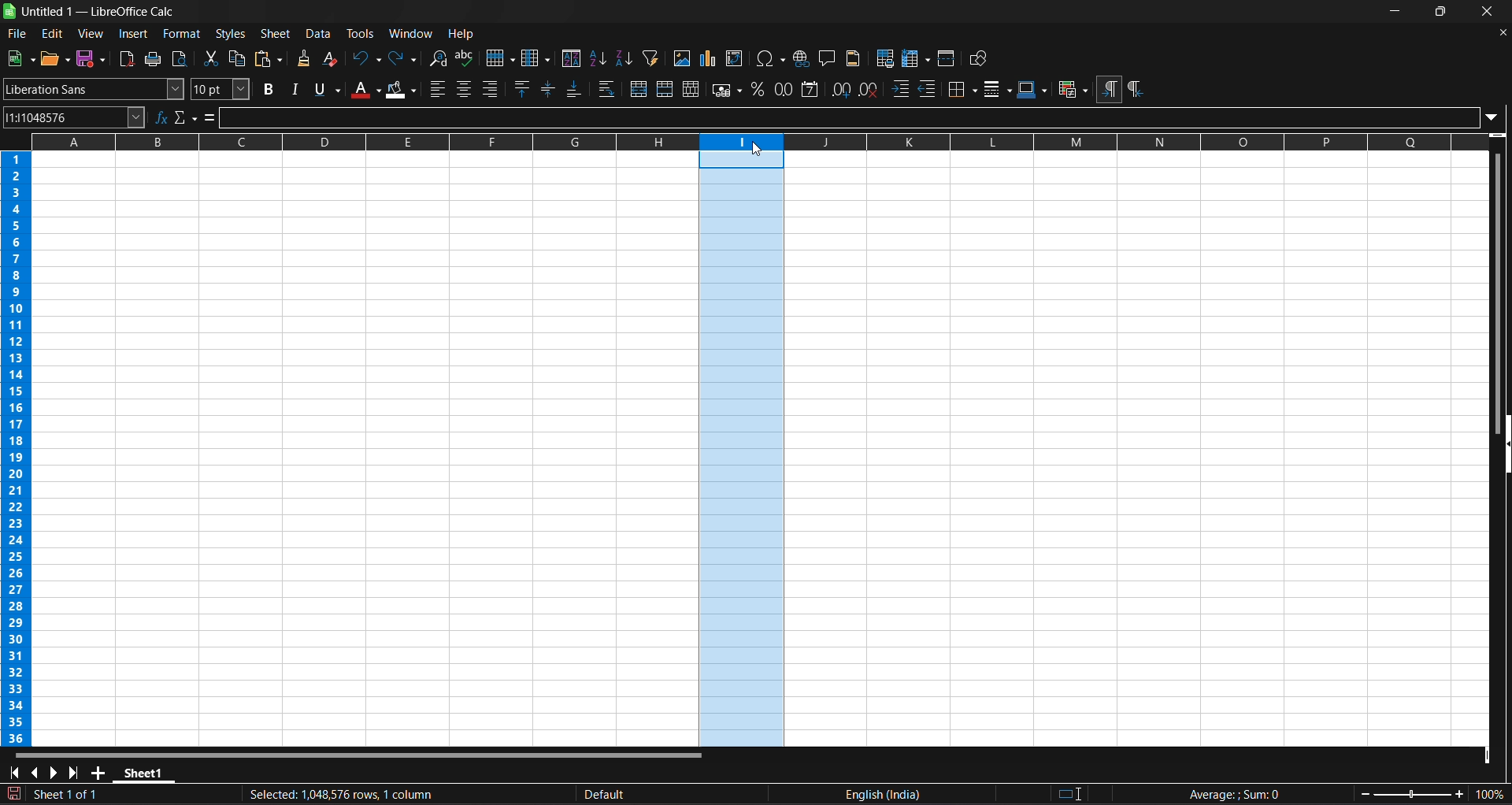 The image size is (1512, 805). I want to click on center vertically, so click(550, 89).